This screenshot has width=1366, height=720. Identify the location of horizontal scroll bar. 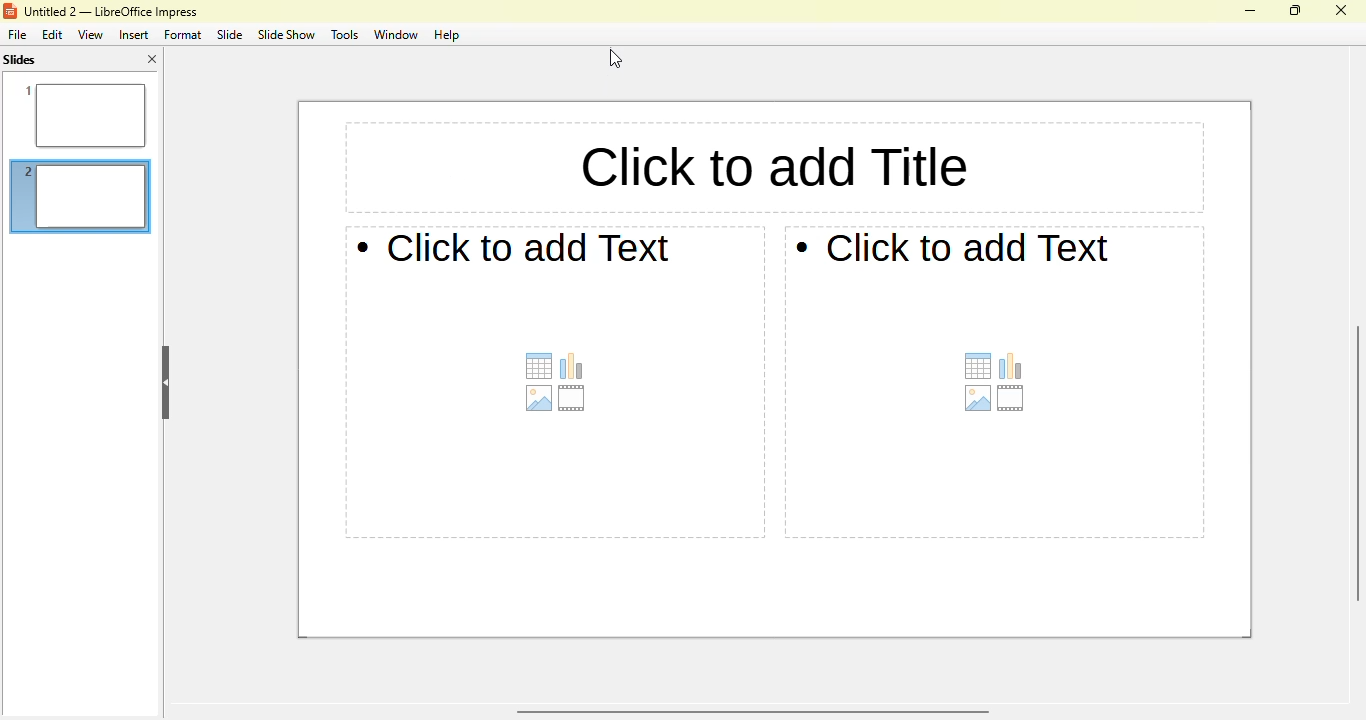
(750, 712).